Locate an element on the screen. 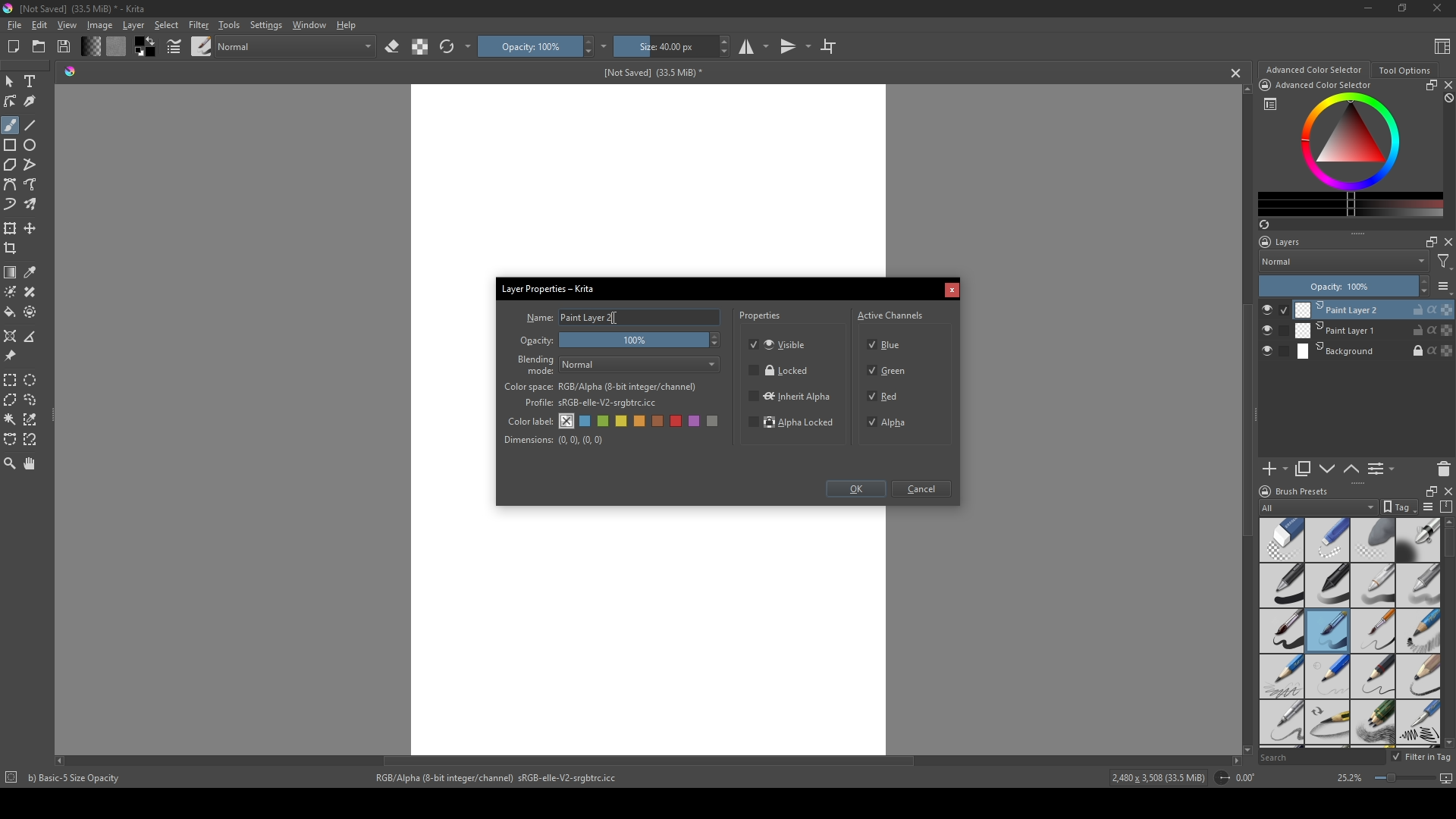 Image resolution: width=1456 pixels, height=819 pixels. scroll down is located at coordinates (1447, 742).